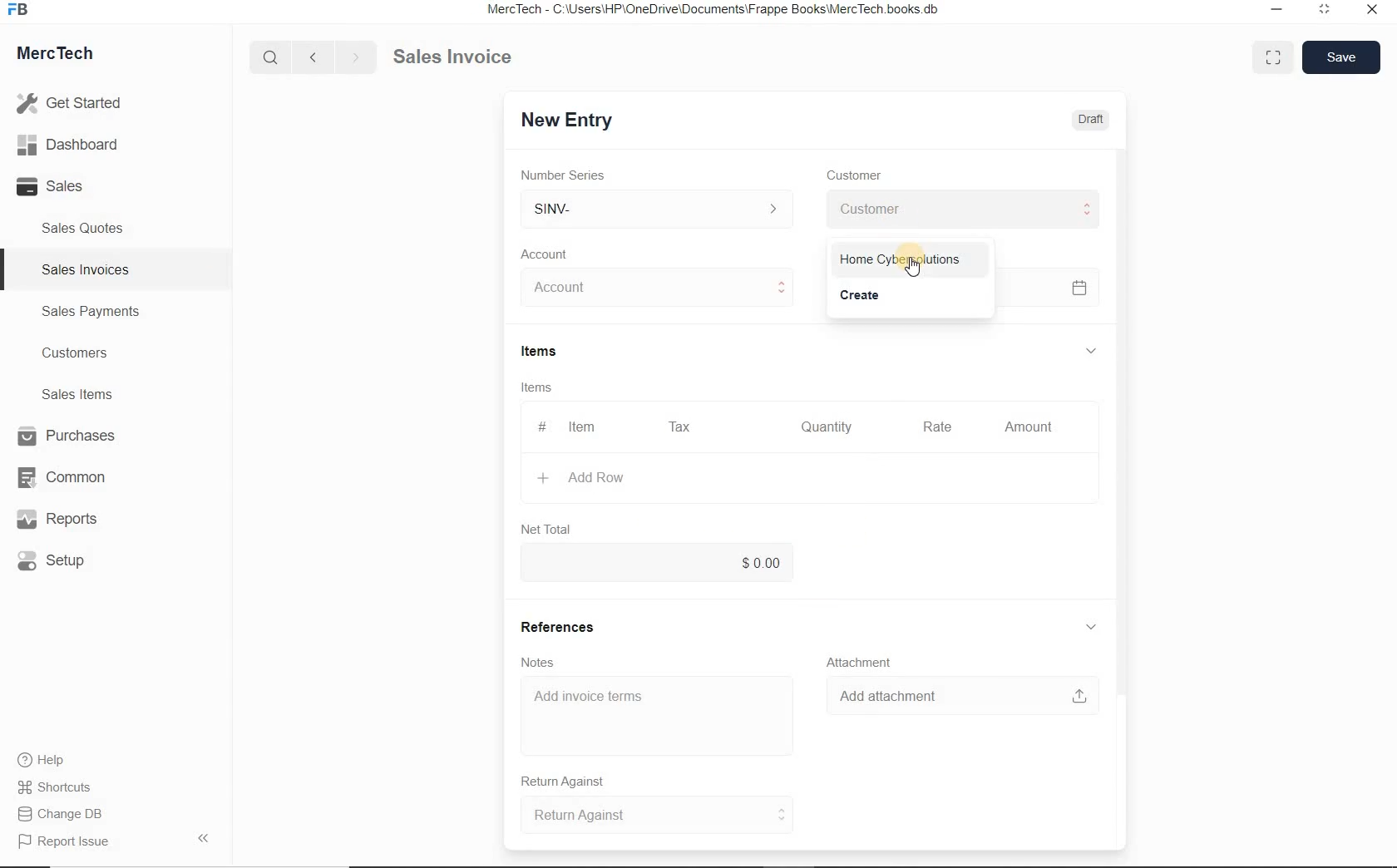  I want to click on Sales Invoice, so click(454, 58).